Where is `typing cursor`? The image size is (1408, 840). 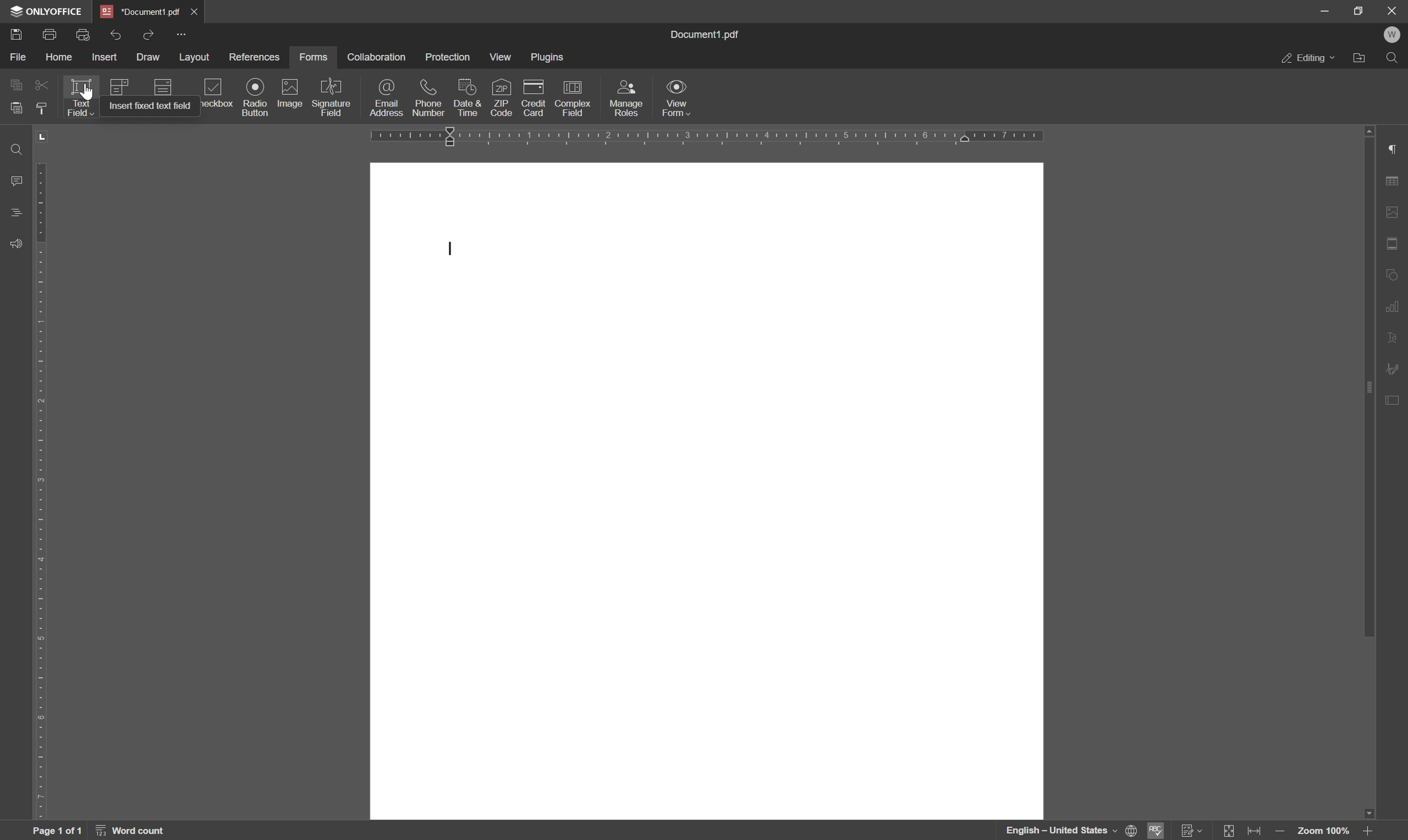 typing cursor is located at coordinates (446, 248).